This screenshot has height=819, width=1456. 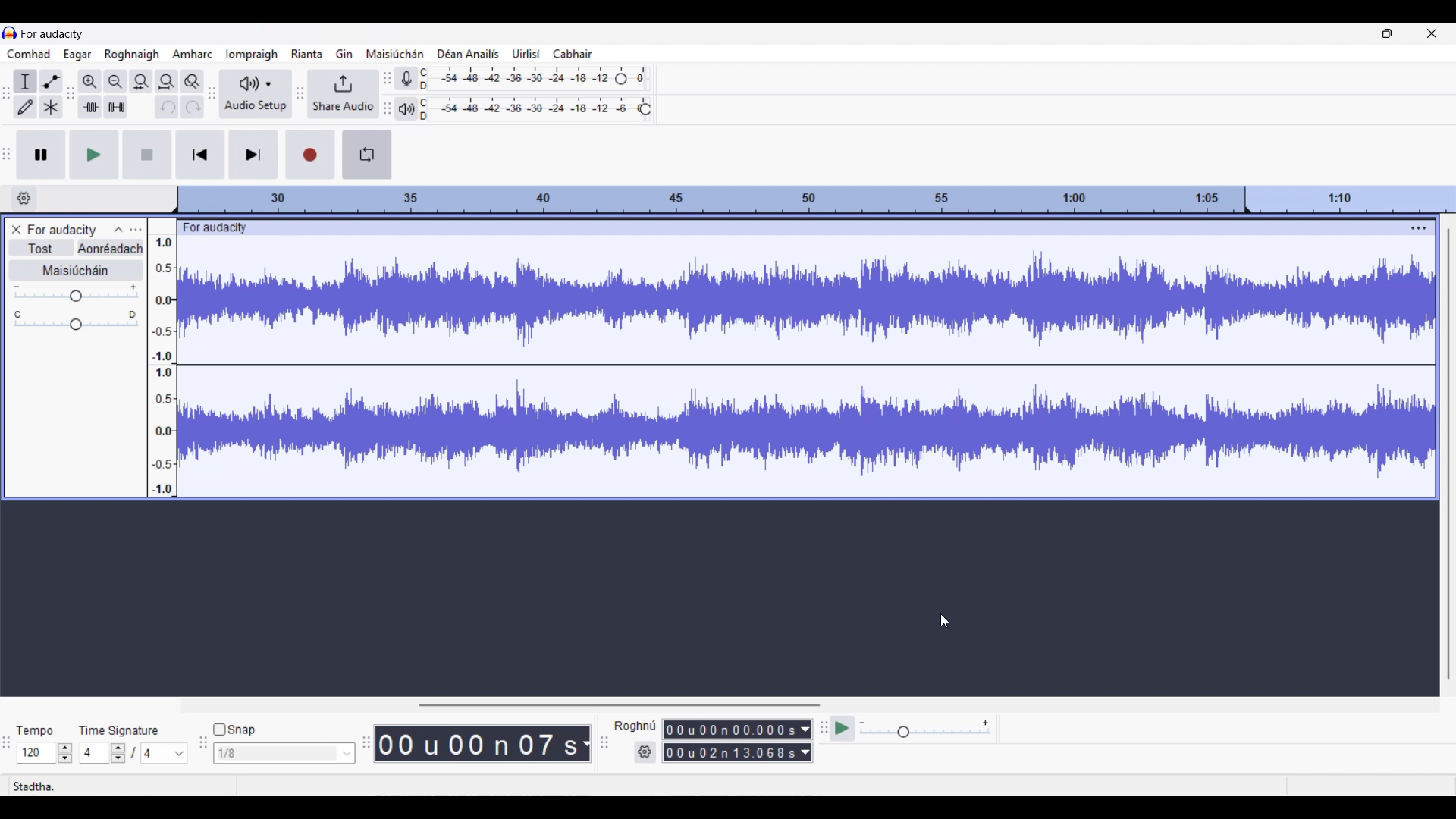 I want to click on Play at speed/Play at speed once, so click(x=844, y=729).